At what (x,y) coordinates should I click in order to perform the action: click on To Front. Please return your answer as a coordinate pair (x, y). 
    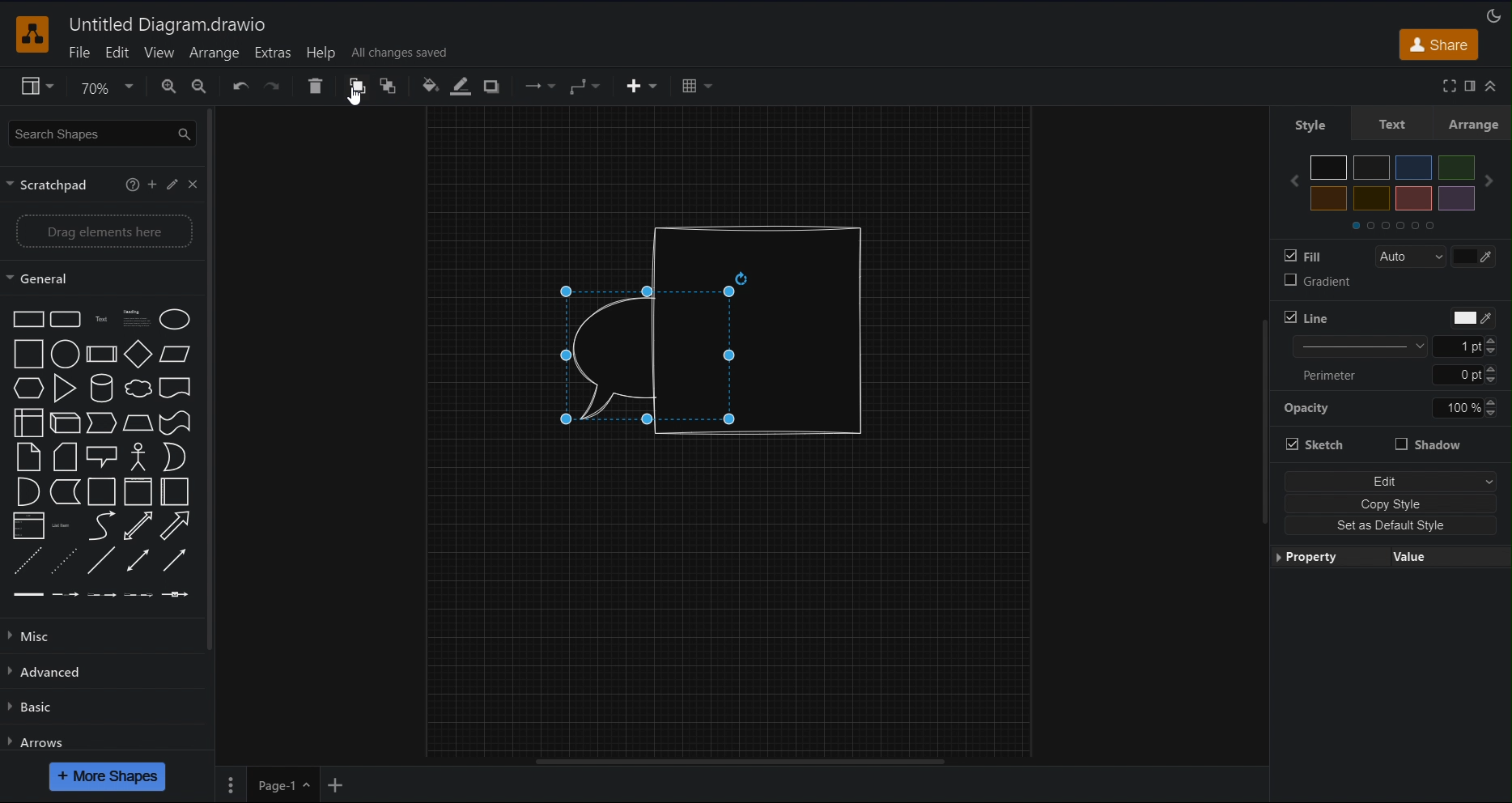
    Looking at the image, I should click on (358, 86).